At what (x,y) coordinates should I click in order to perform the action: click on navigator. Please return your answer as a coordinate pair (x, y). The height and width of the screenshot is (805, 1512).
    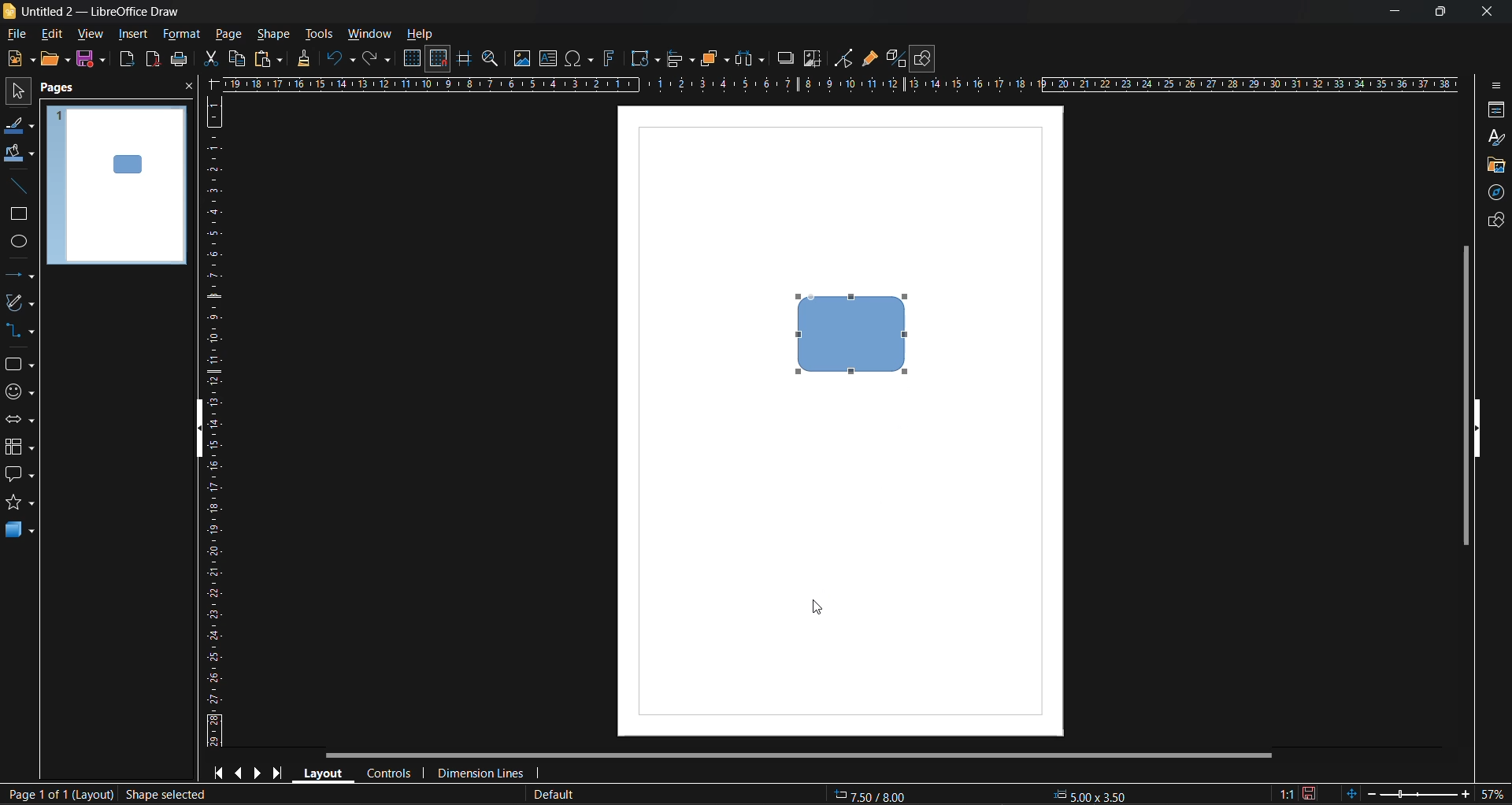
    Looking at the image, I should click on (1493, 195).